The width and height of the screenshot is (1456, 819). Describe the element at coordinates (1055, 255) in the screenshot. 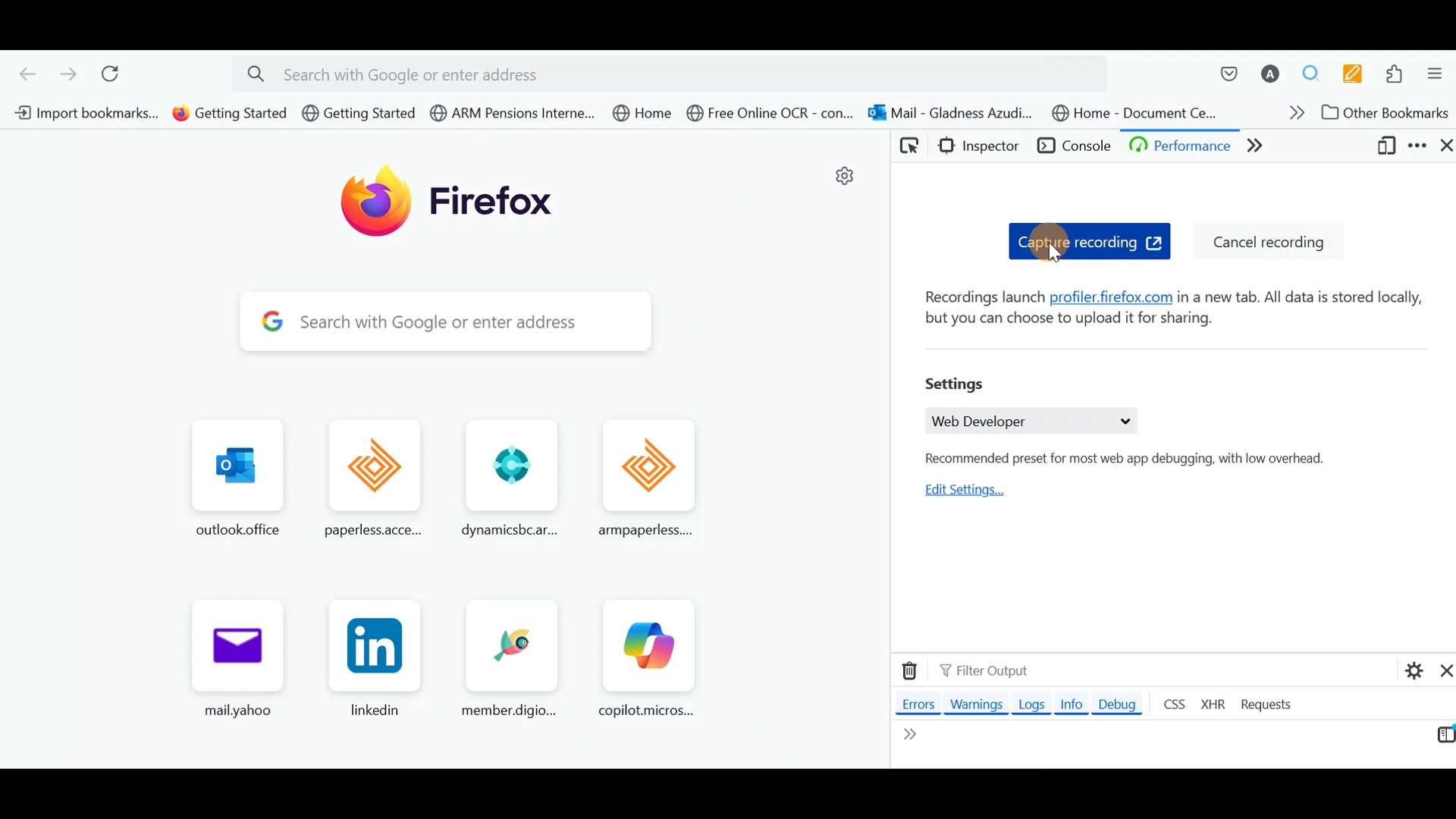

I see `cursor` at that location.